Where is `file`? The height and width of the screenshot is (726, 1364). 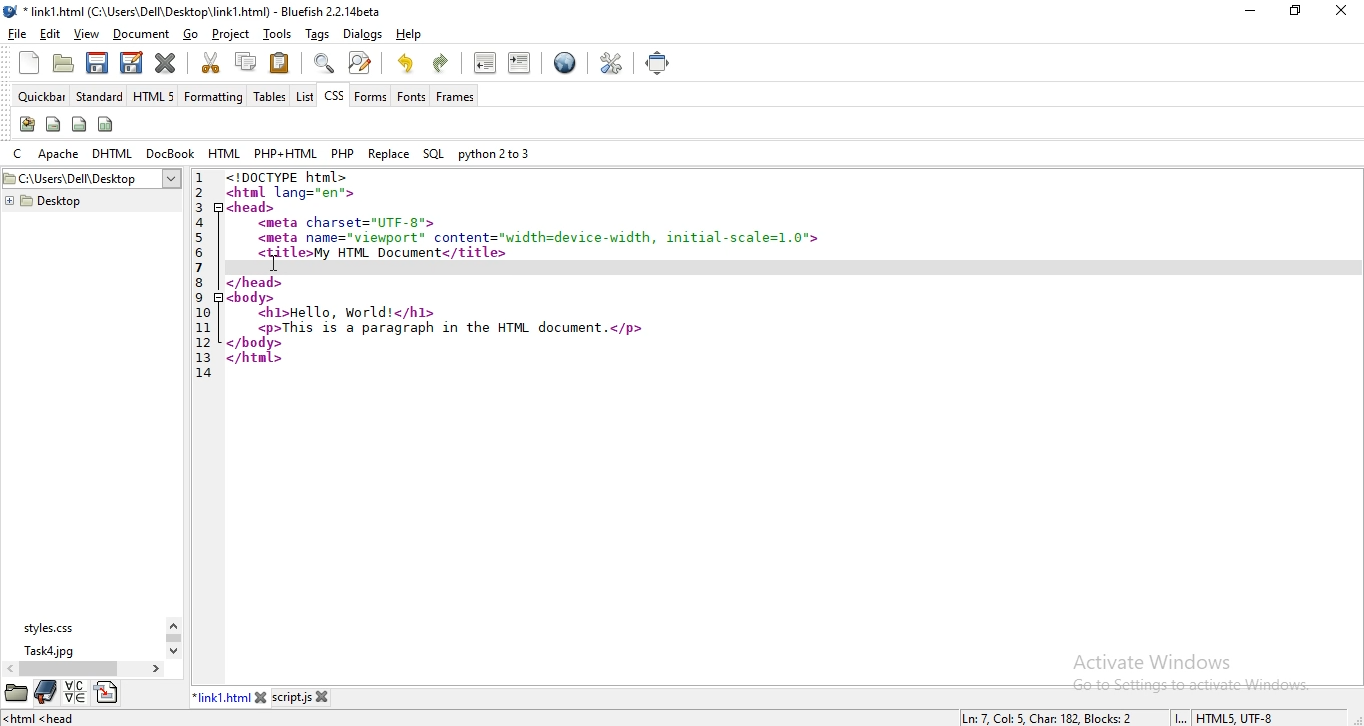
file is located at coordinates (17, 32).